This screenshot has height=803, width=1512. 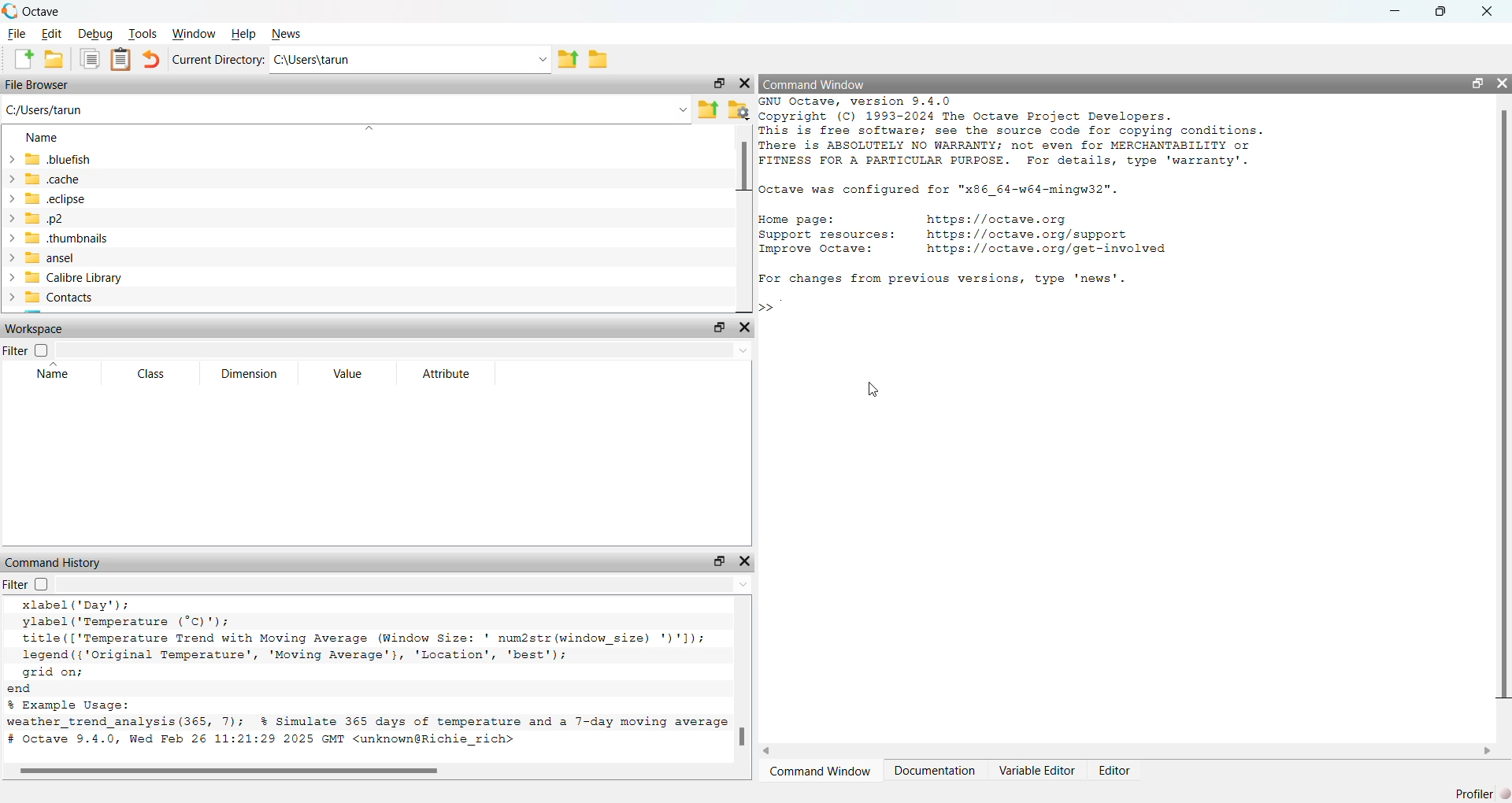 I want to click on maximise, so click(x=711, y=329).